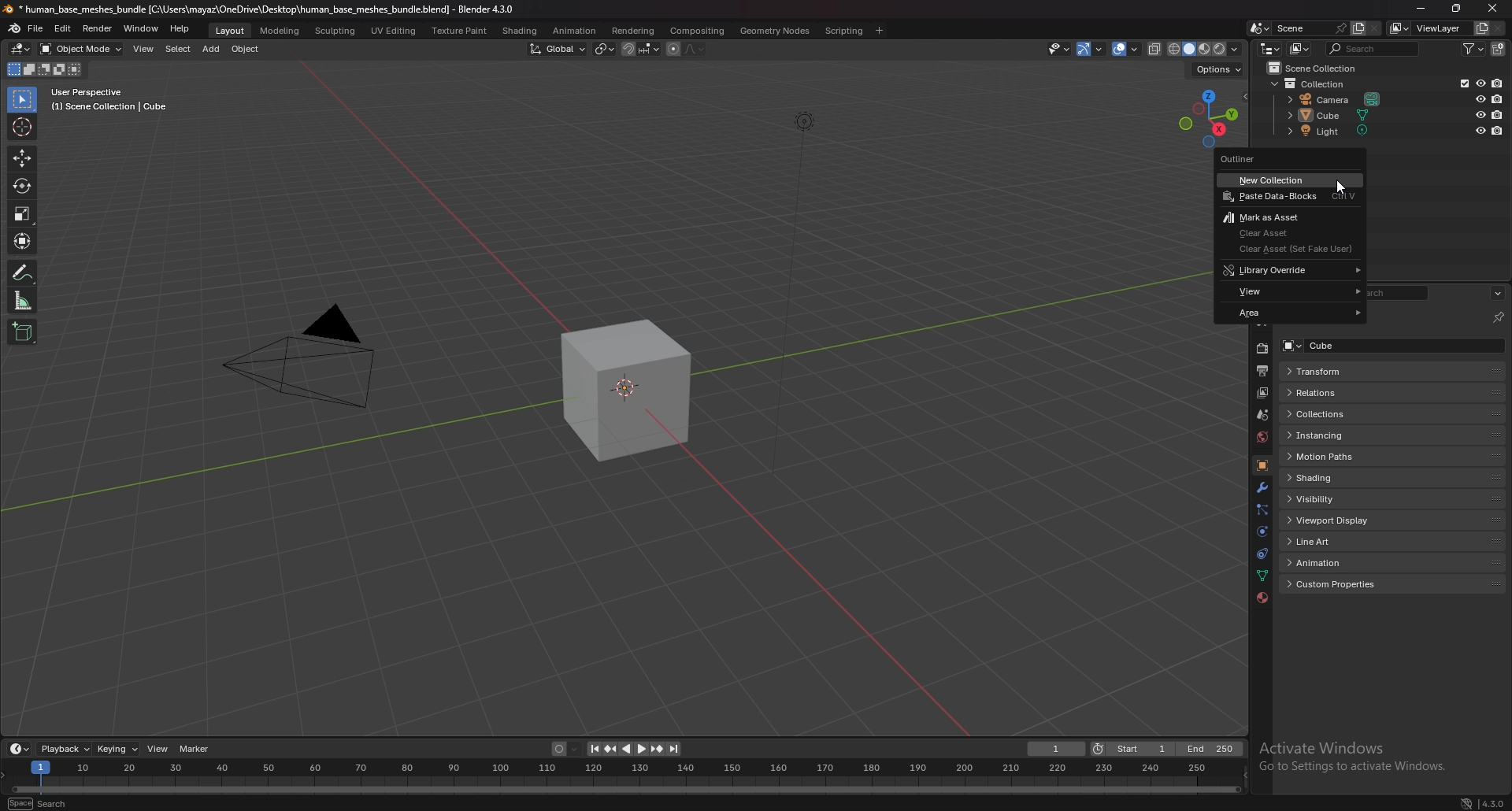 The height and width of the screenshot is (811, 1512). I want to click on drawing, so click(634, 395).